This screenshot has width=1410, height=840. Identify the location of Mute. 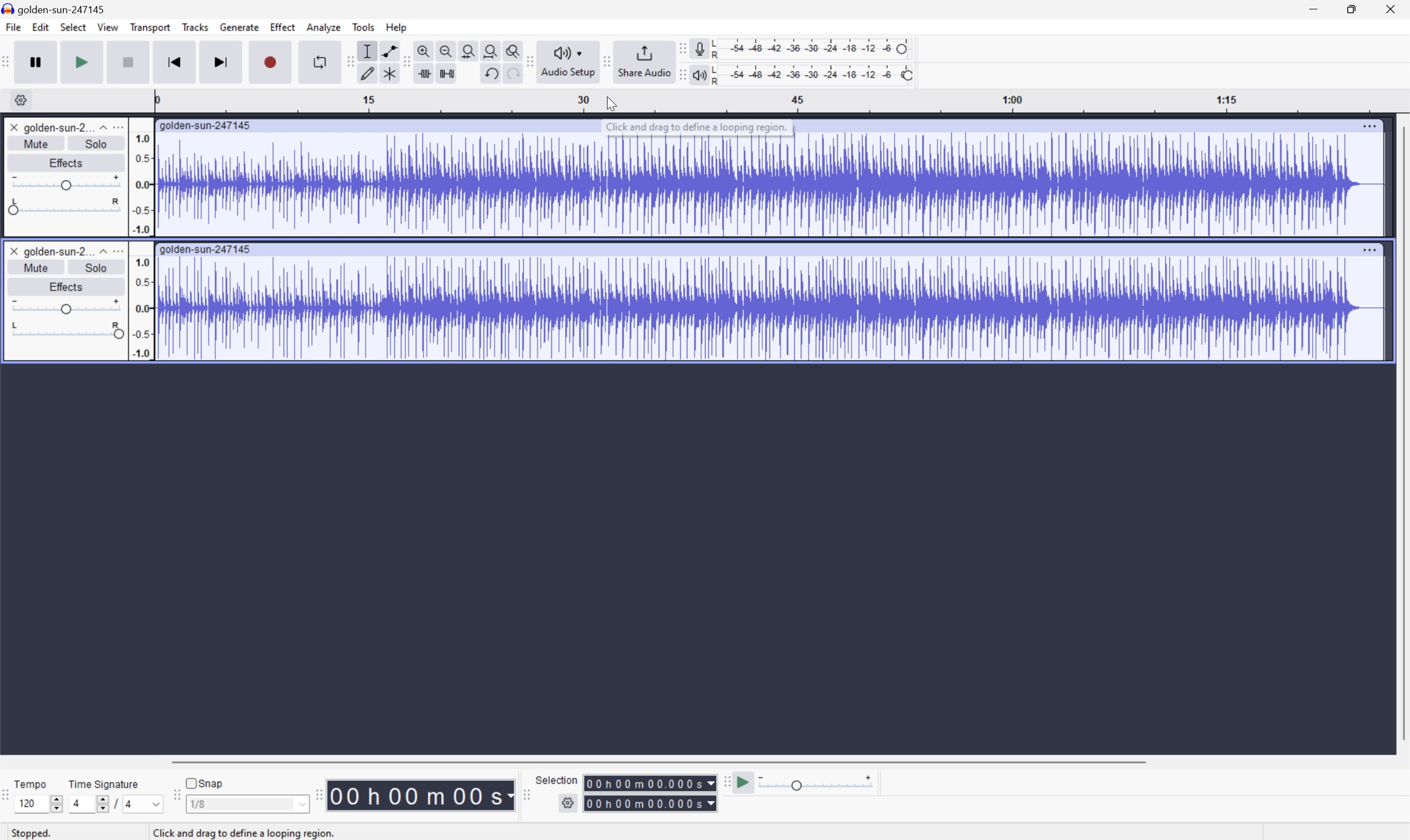
(35, 144).